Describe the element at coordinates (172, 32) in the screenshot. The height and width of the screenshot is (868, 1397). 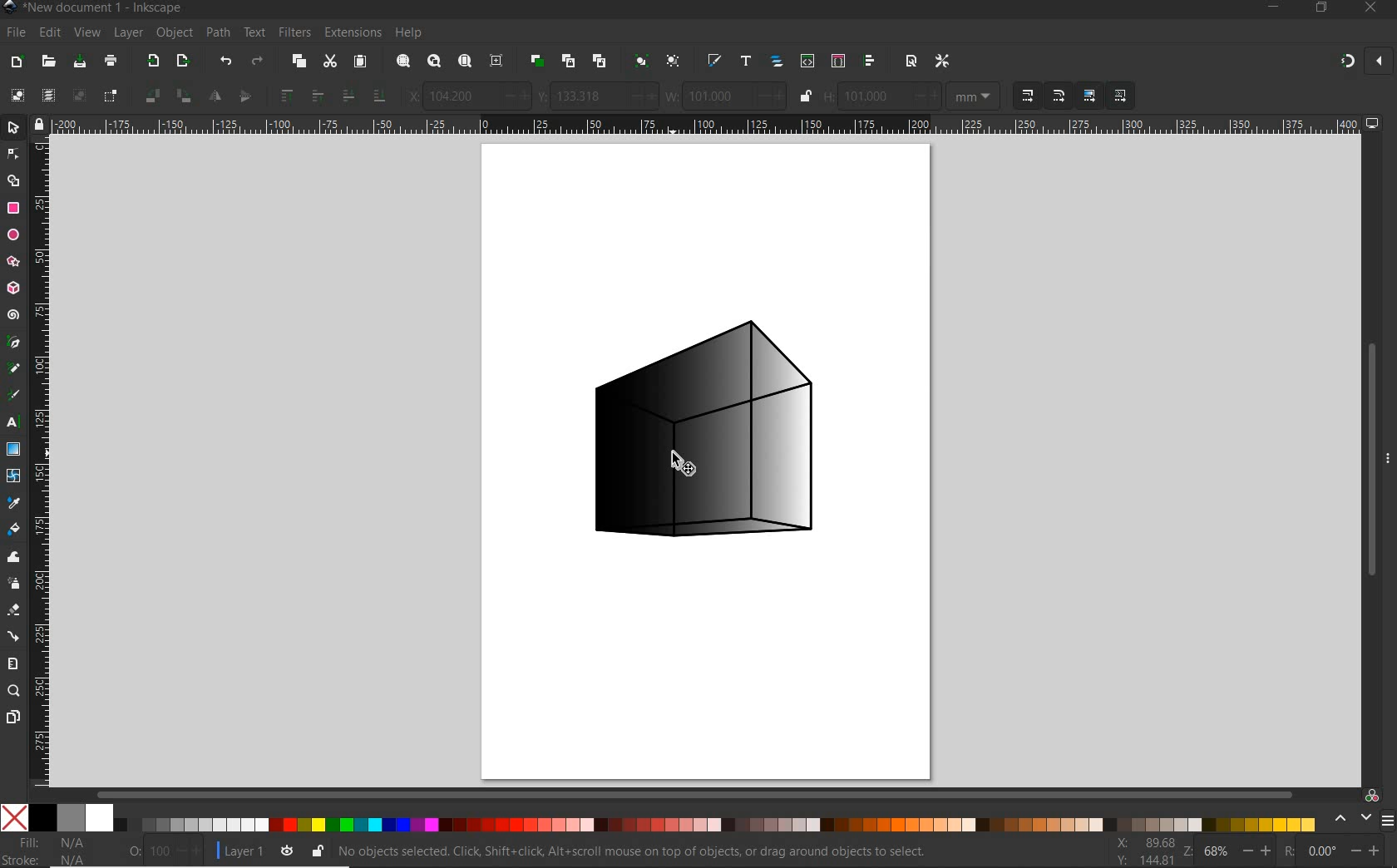
I see `OBJECT` at that location.